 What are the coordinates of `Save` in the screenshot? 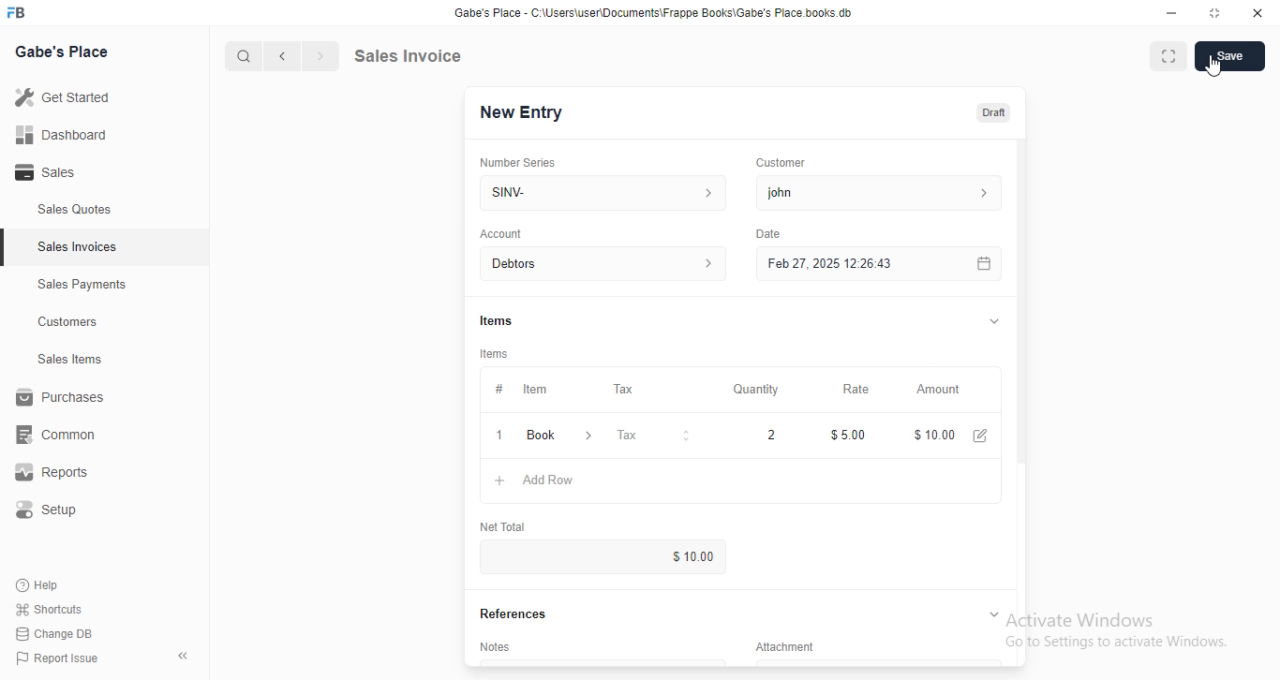 It's located at (1233, 56).